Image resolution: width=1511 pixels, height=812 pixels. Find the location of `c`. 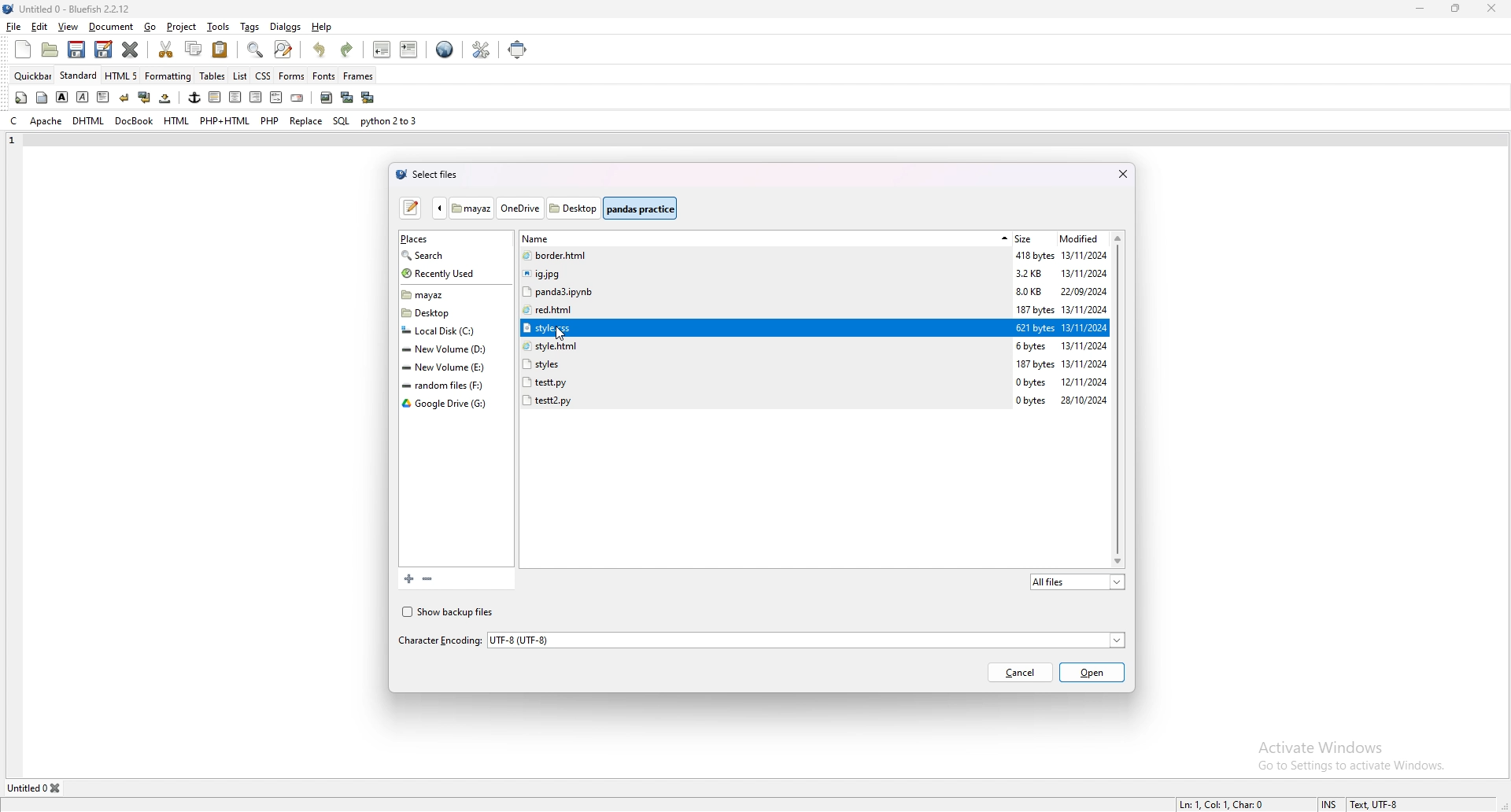

c is located at coordinates (16, 120).